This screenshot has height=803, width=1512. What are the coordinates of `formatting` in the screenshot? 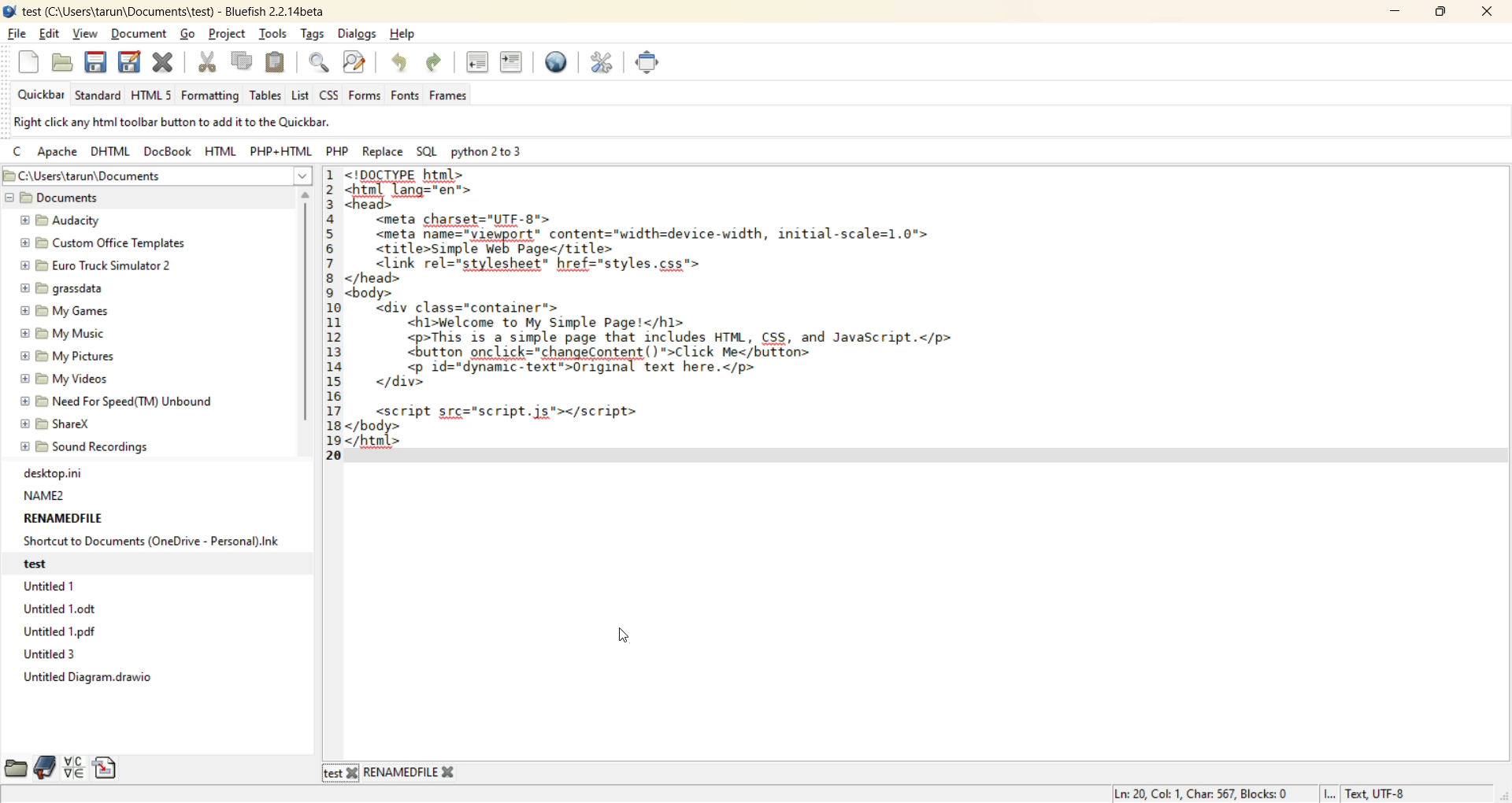 It's located at (212, 94).